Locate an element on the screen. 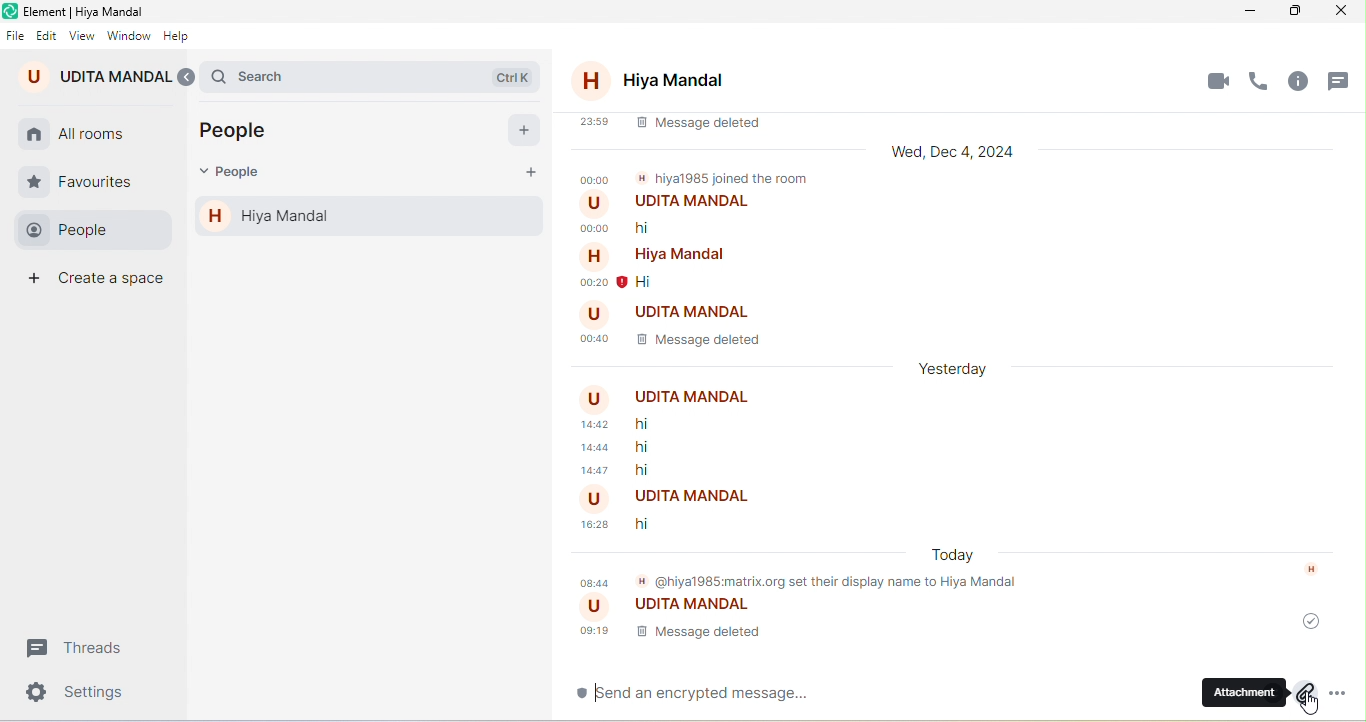 The width and height of the screenshot is (1366, 722). room info is located at coordinates (1306, 85).